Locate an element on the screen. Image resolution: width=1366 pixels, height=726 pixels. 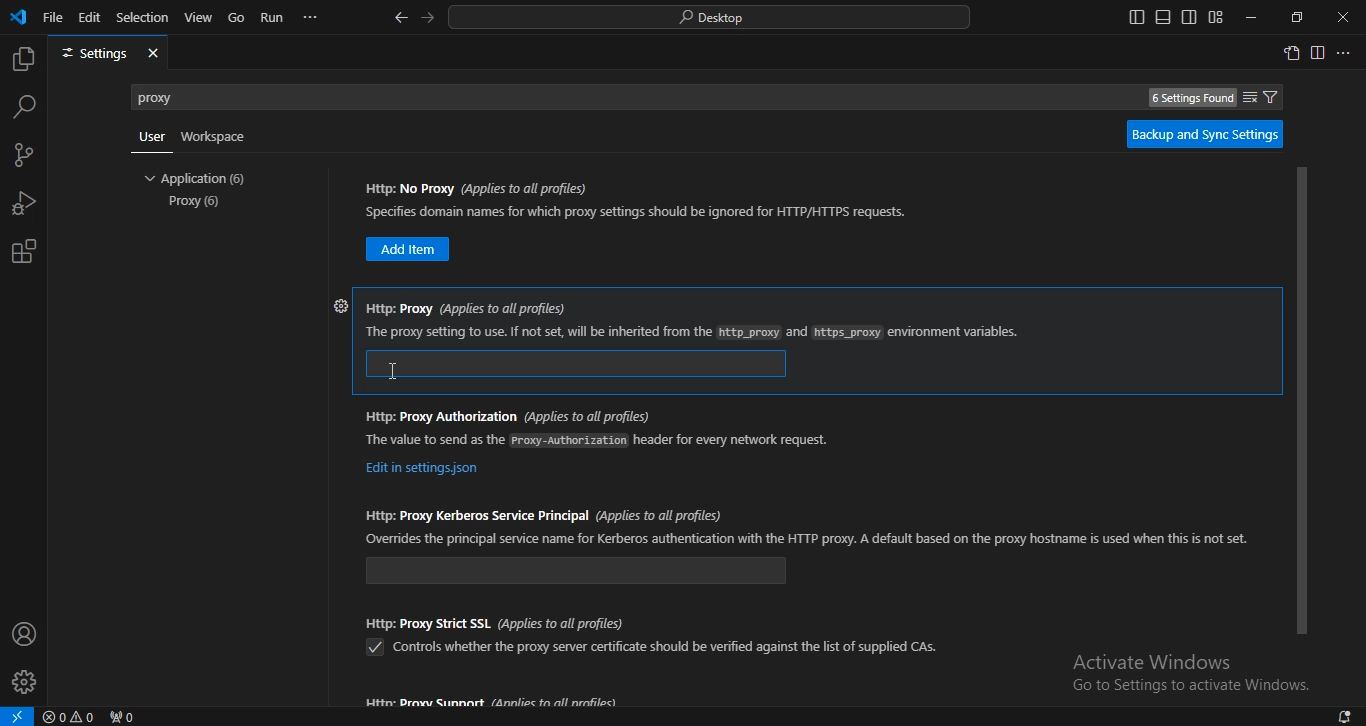
texthttps: proxy strict SSL is located at coordinates (667, 647).